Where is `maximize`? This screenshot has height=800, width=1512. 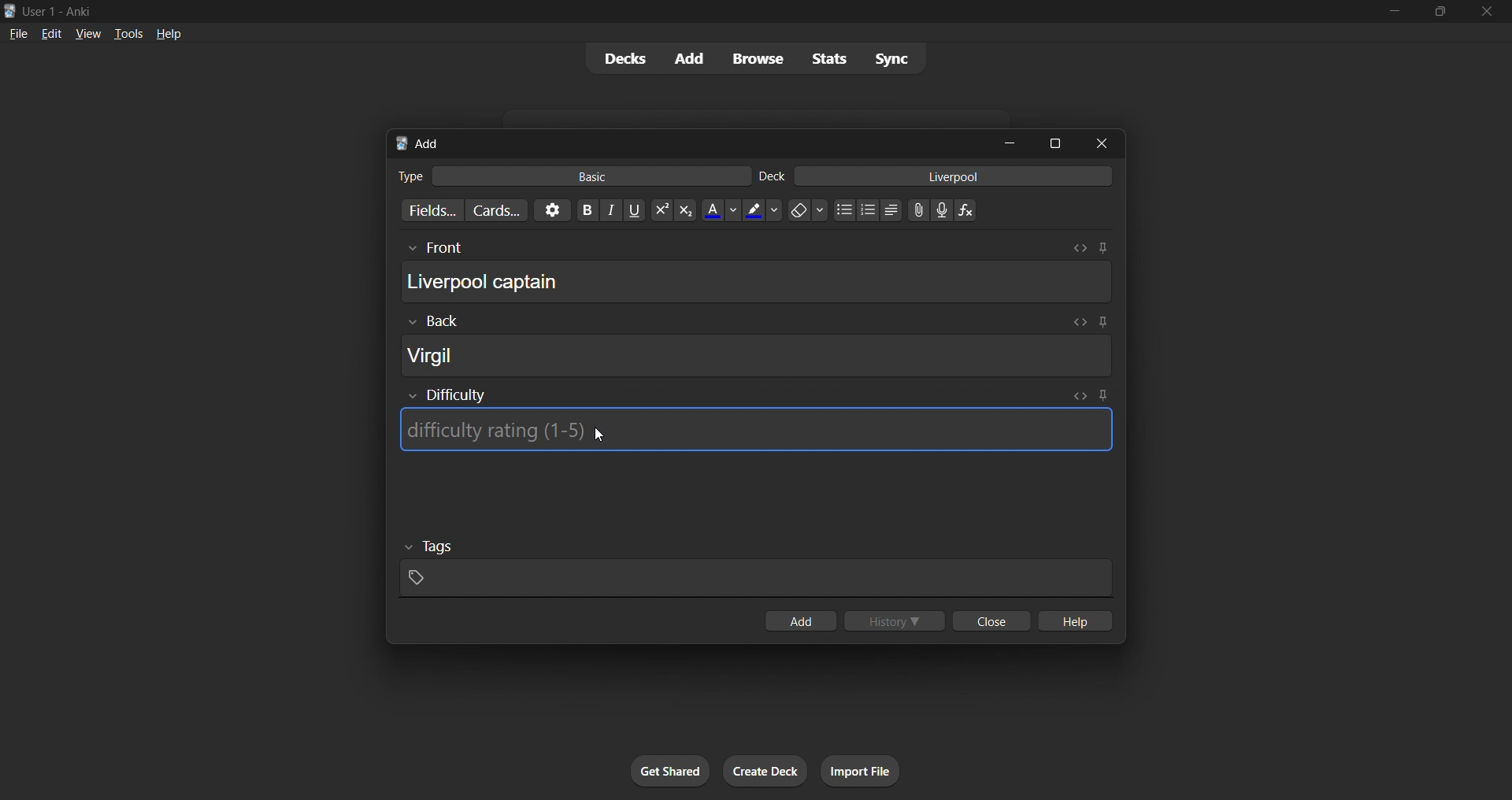 maximize is located at coordinates (1054, 143).